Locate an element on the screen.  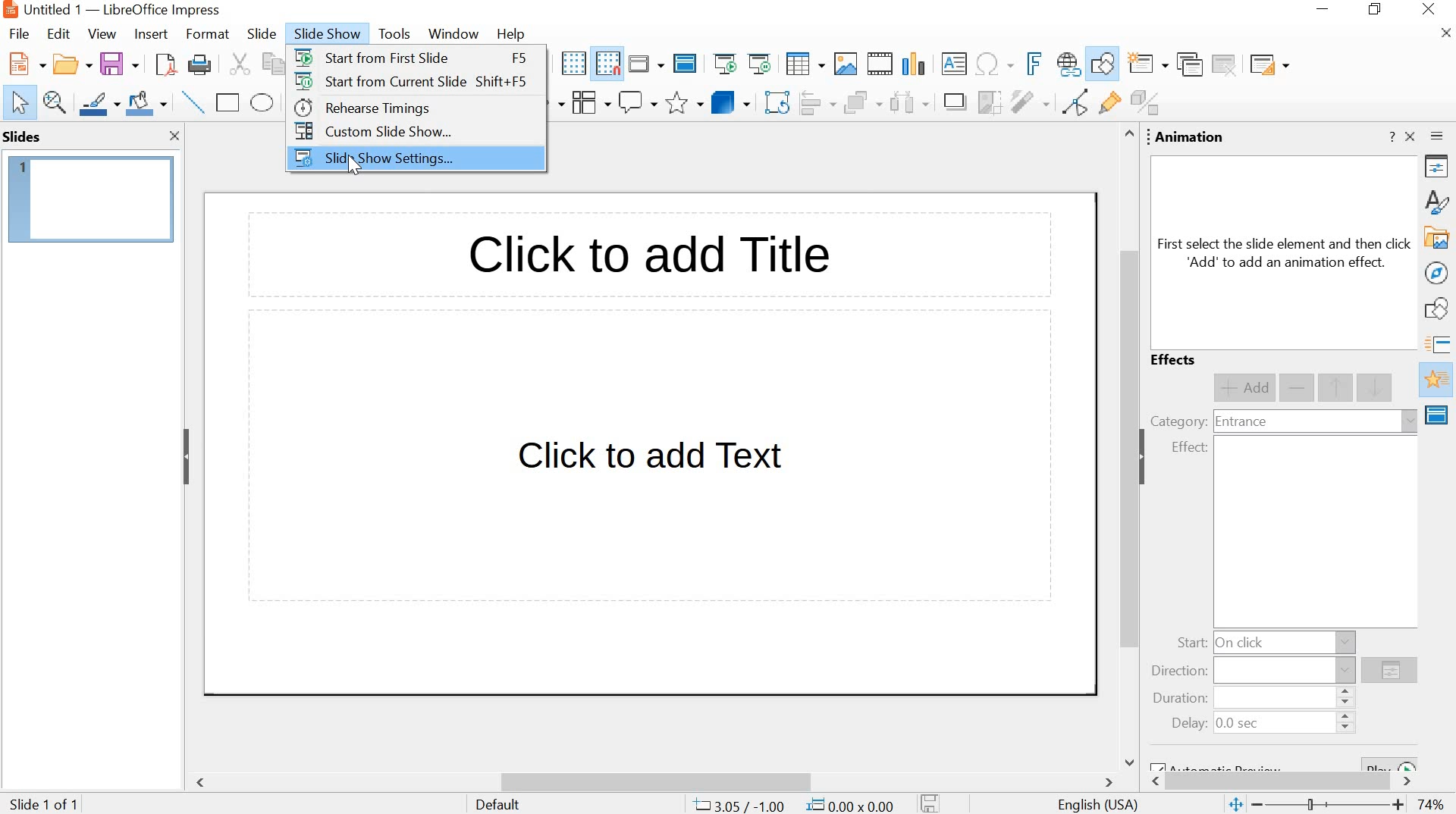
window menu is located at coordinates (451, 34).